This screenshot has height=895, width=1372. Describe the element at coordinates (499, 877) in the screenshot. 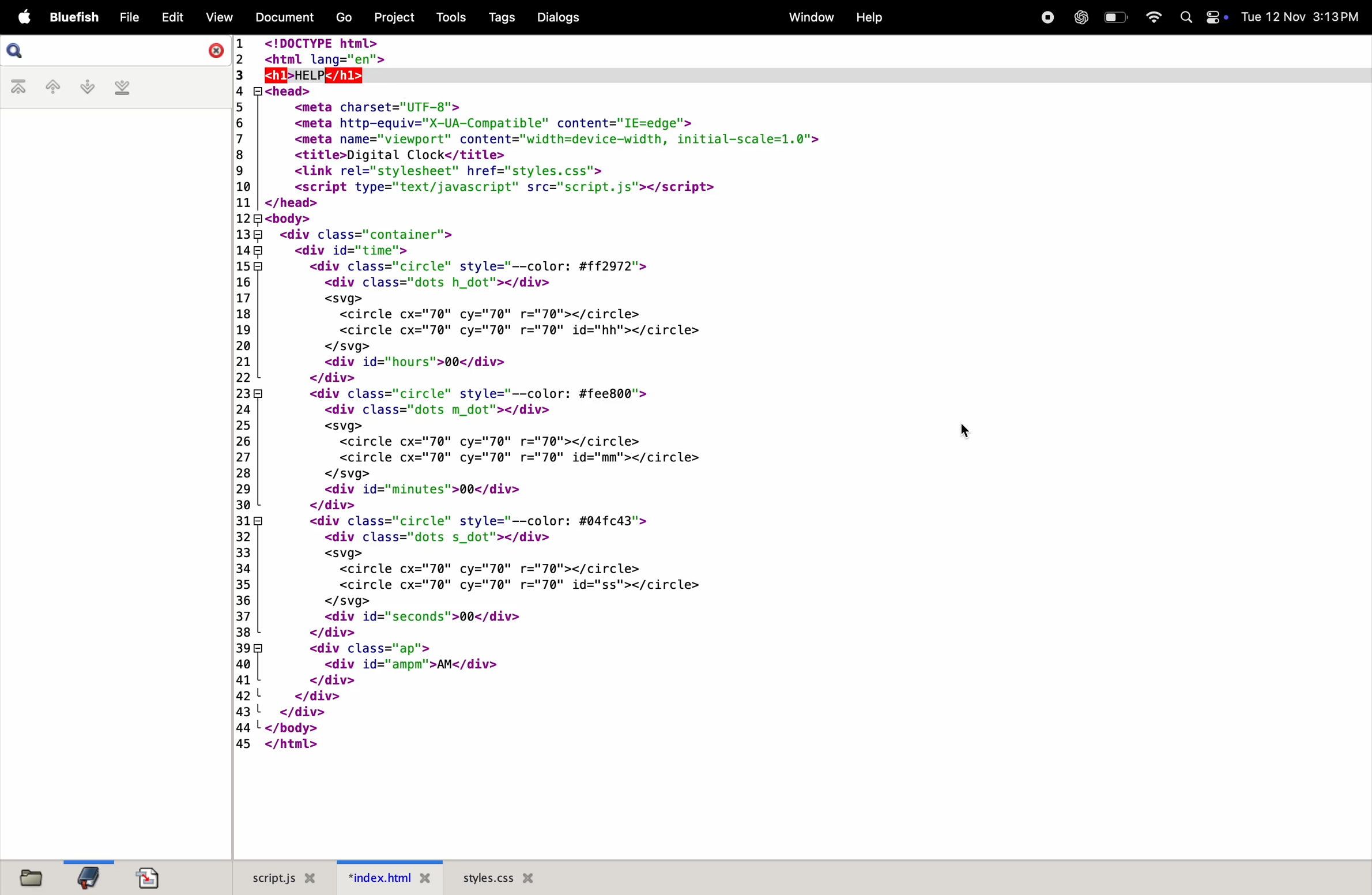

I see `styles.css` at that location.